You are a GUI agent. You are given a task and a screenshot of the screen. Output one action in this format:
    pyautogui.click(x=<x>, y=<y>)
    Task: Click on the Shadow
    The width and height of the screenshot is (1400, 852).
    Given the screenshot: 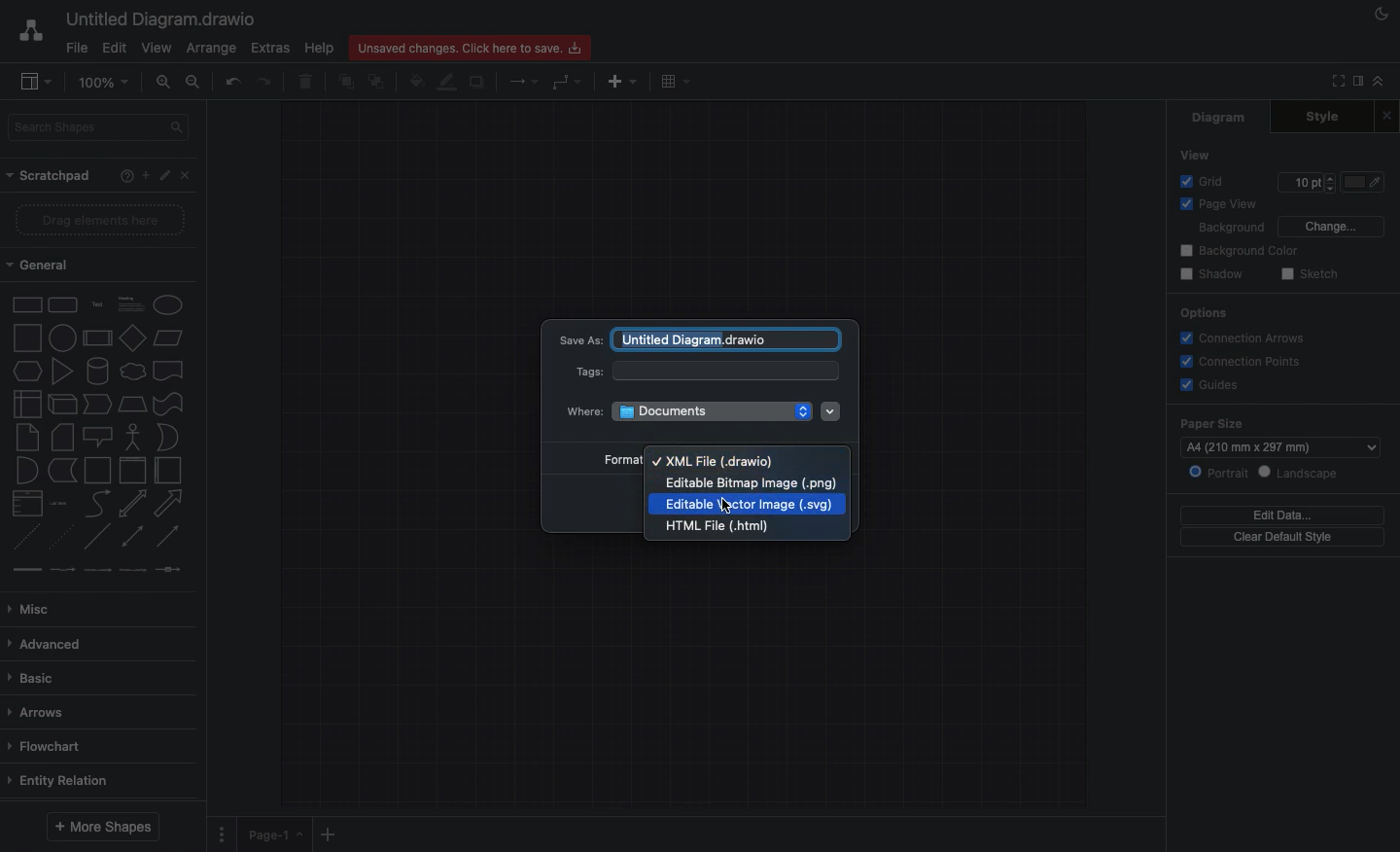 What is the action you would take?
    pyautogui.click(x=1209, y=275)
    